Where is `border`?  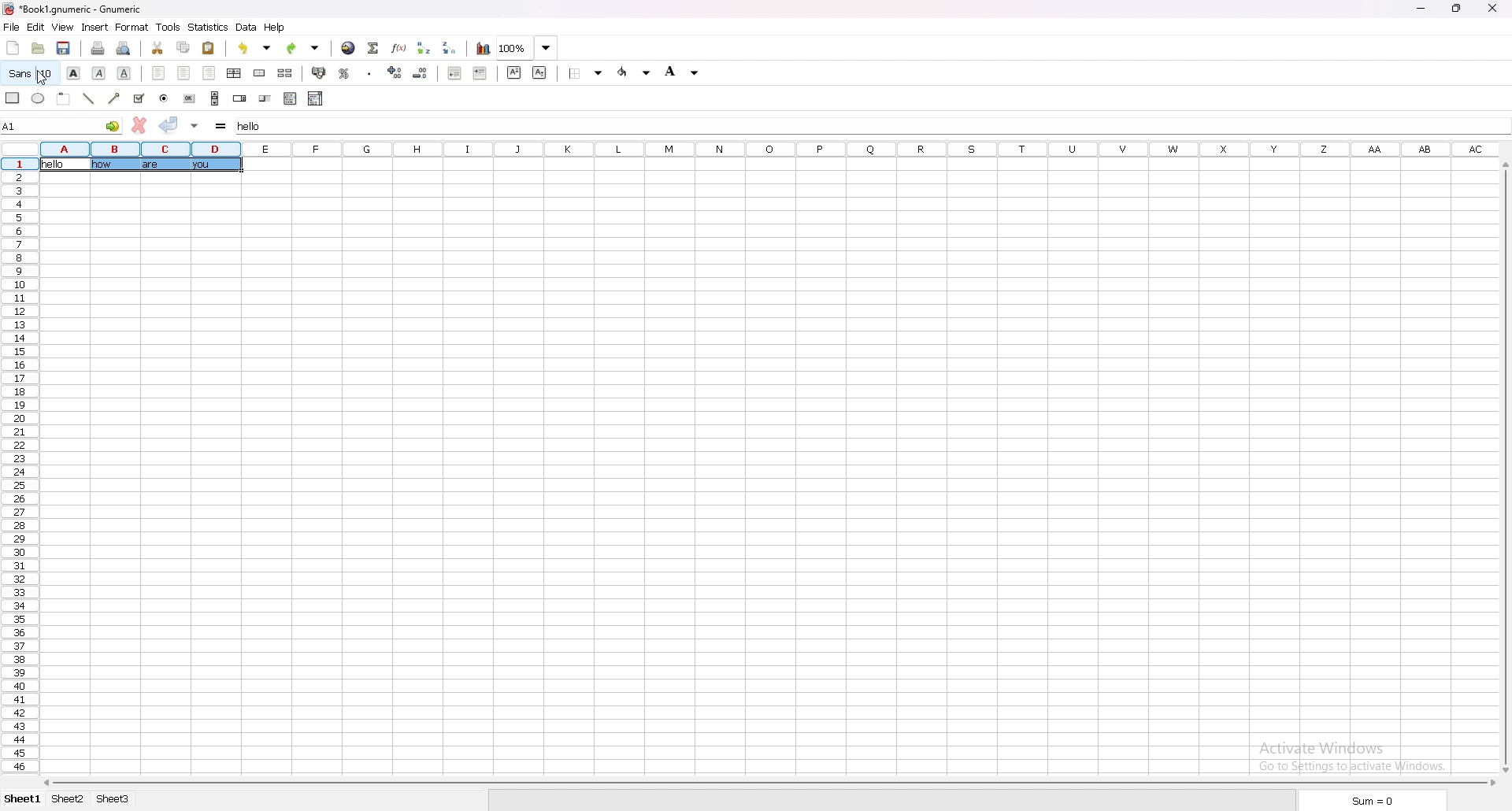
border is located at coordinates (586, 73).